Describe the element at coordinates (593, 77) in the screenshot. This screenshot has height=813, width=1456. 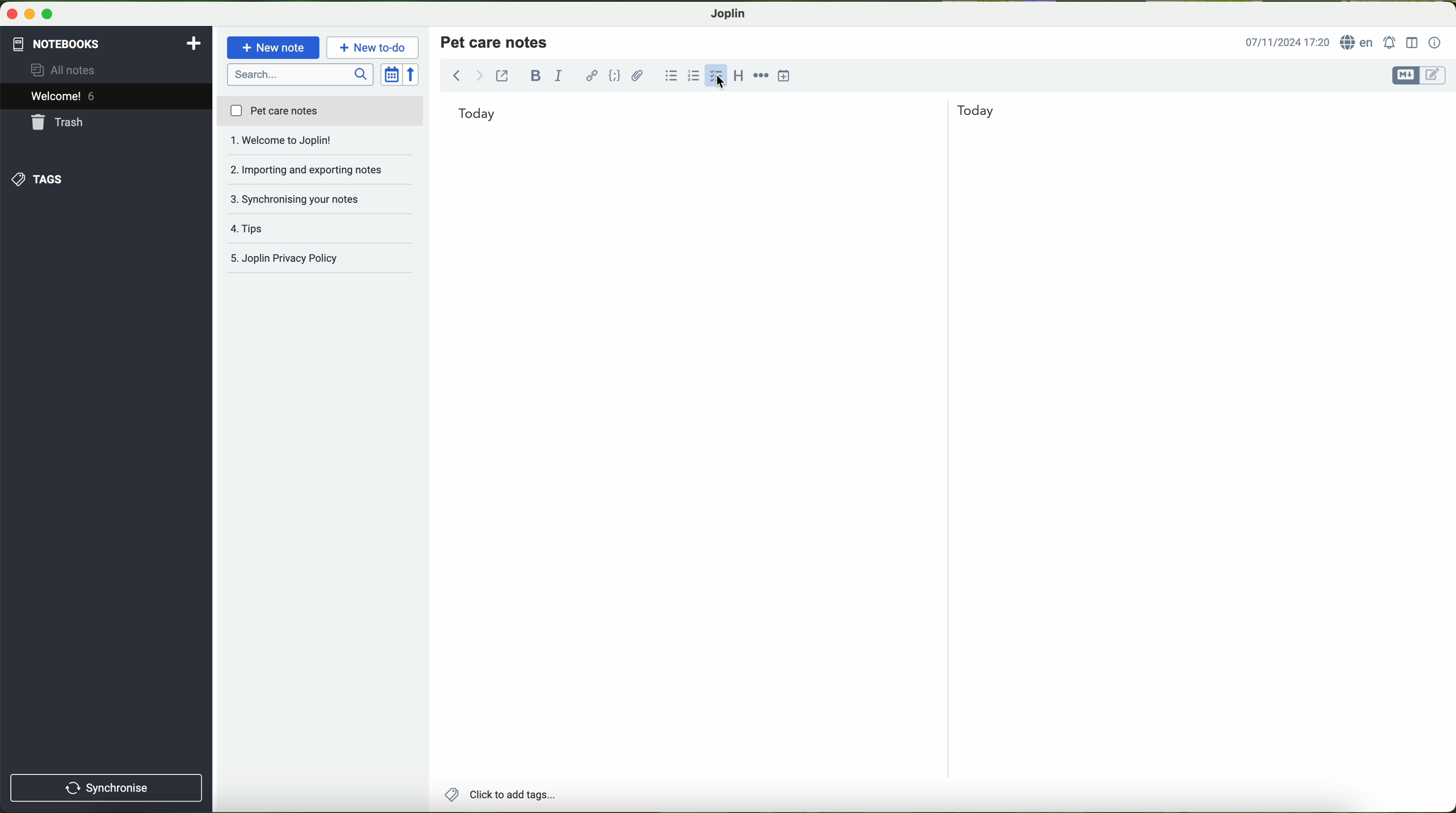
I see `hyperlink` at that location.